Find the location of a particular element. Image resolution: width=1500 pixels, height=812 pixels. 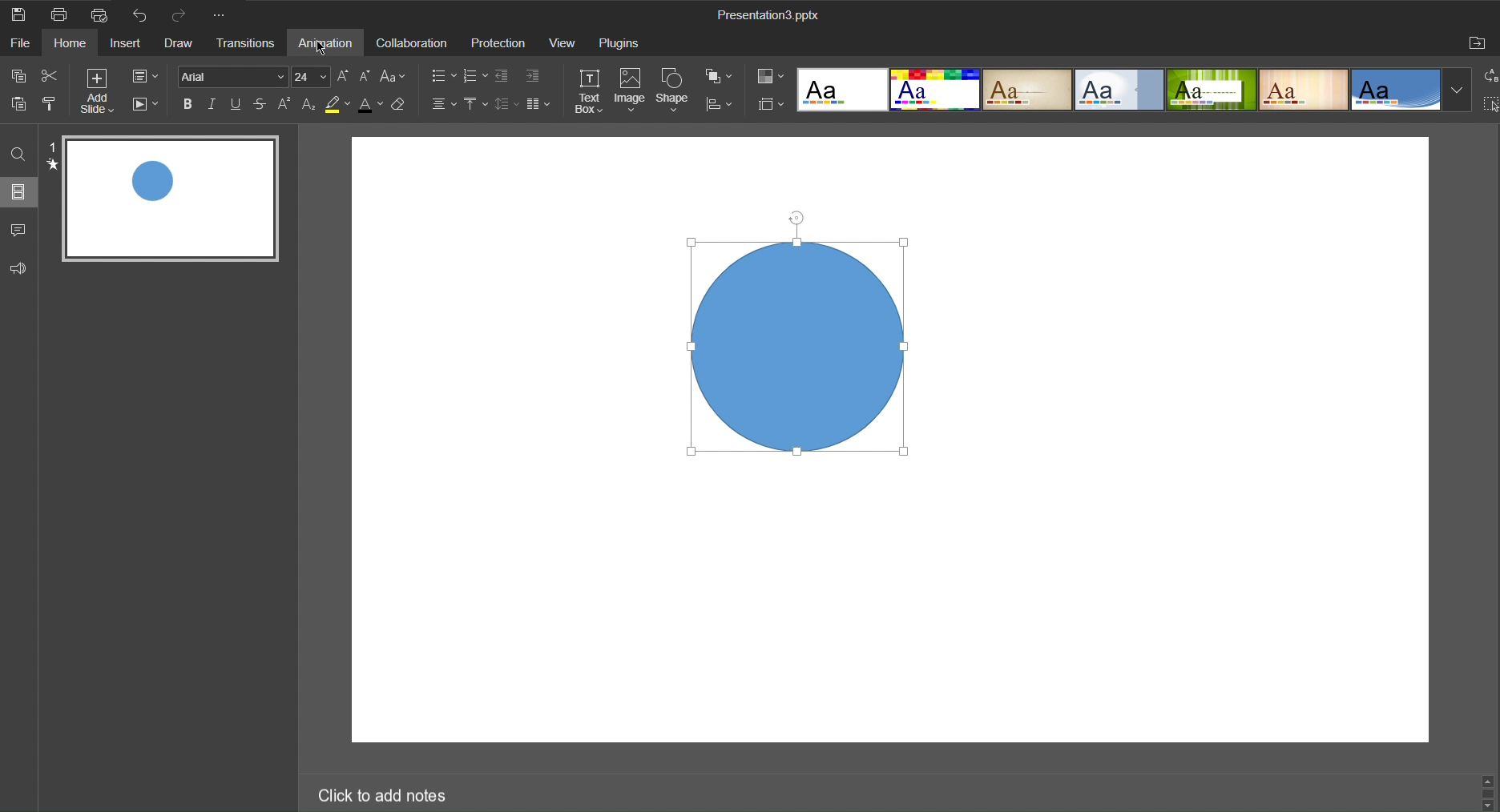

Alignment is located at coordinates (441, 106).